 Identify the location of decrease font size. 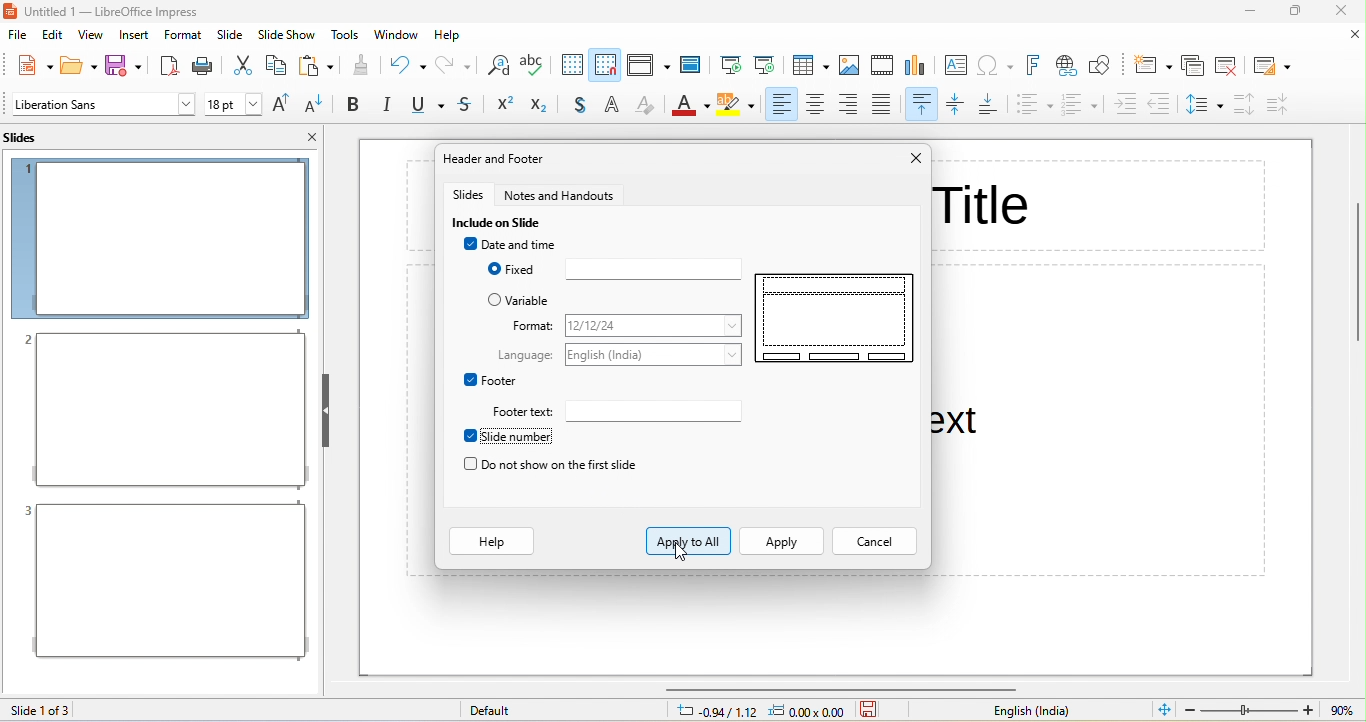
(317, 105).